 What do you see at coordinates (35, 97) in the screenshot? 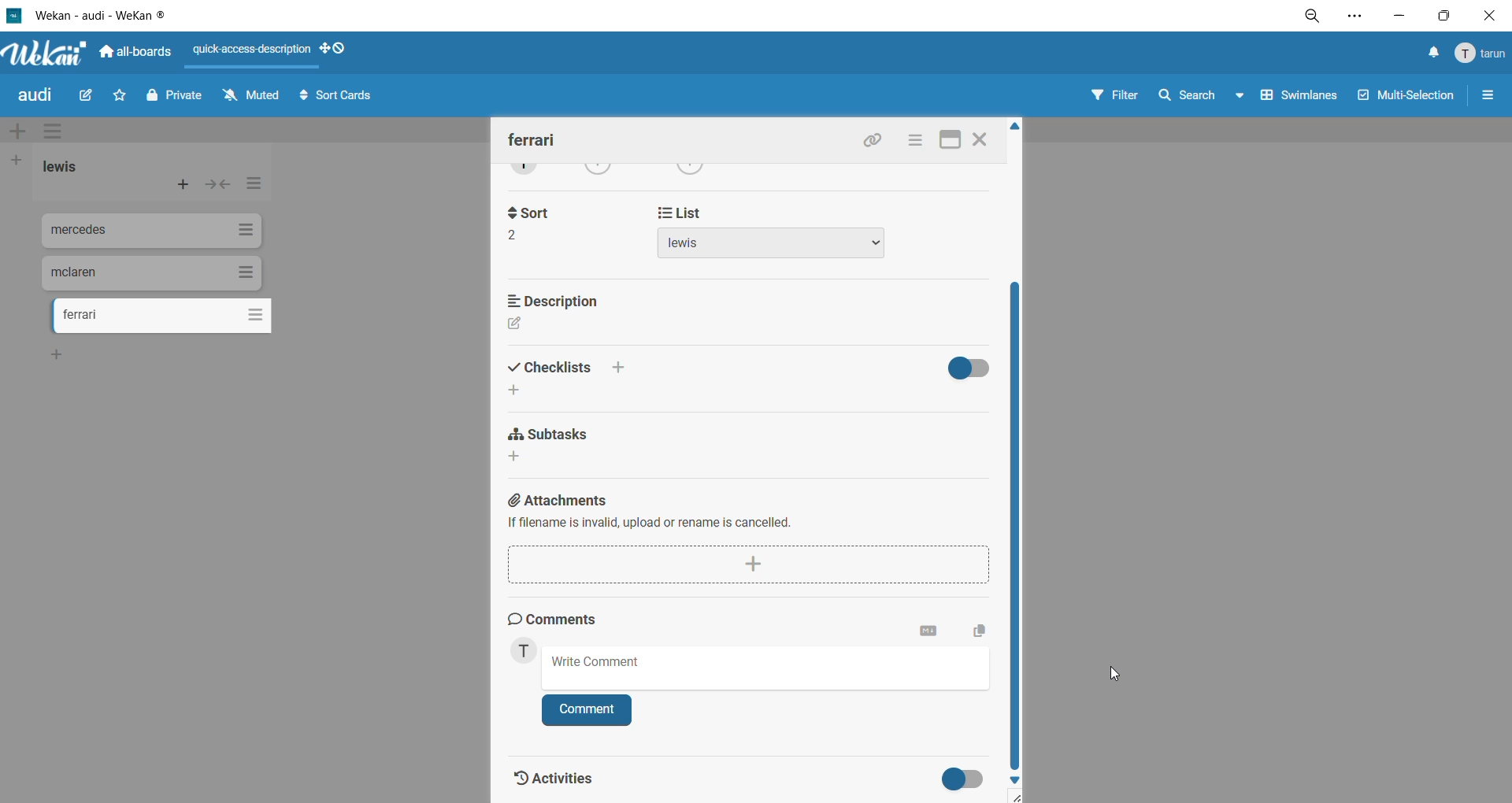
I see `board title` at bounding box center [35, 97].